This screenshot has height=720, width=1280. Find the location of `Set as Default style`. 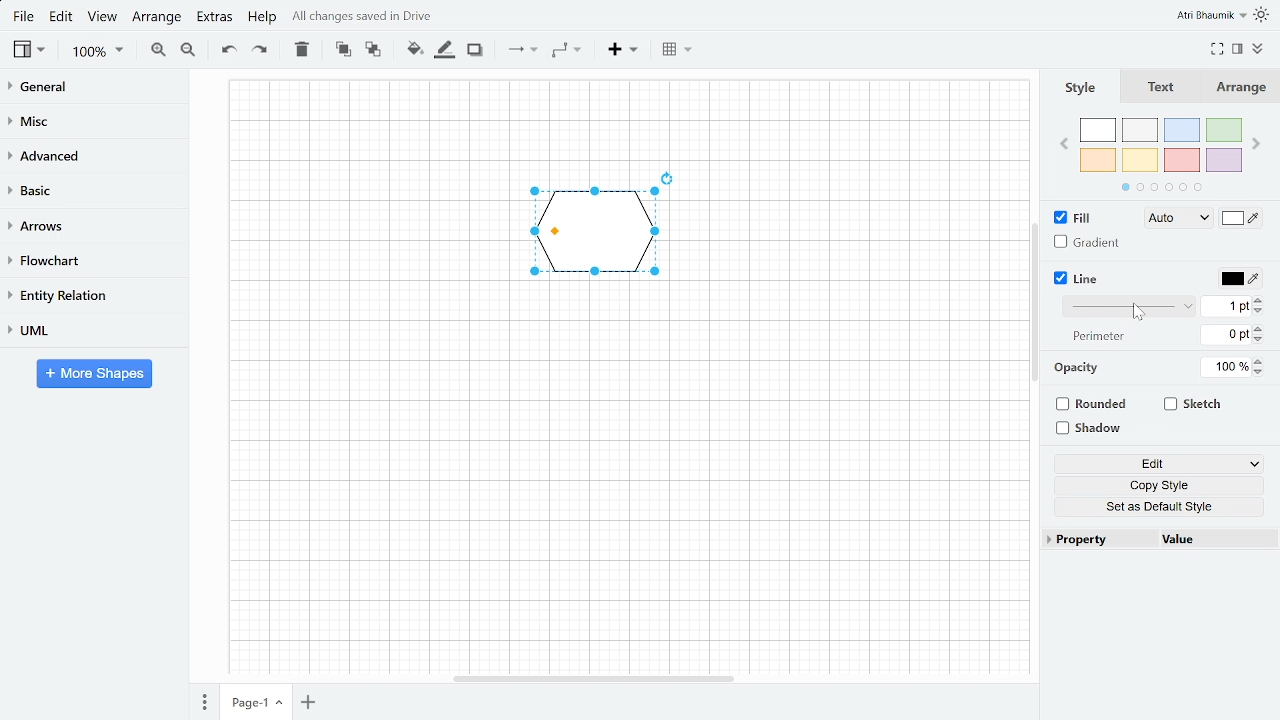

Set as Default style is located at coordinates (1160, 506).